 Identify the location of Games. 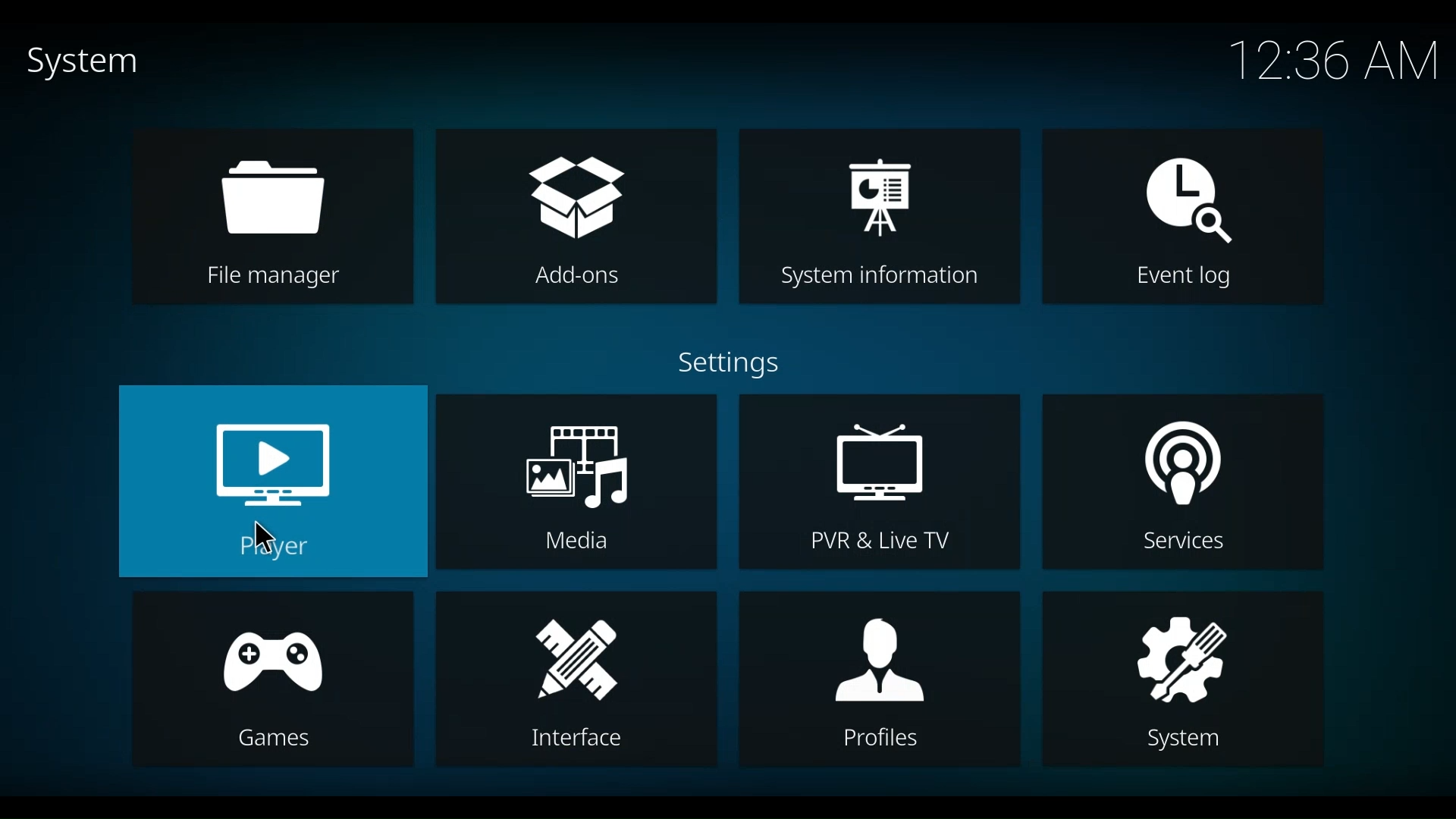
(272, 678).